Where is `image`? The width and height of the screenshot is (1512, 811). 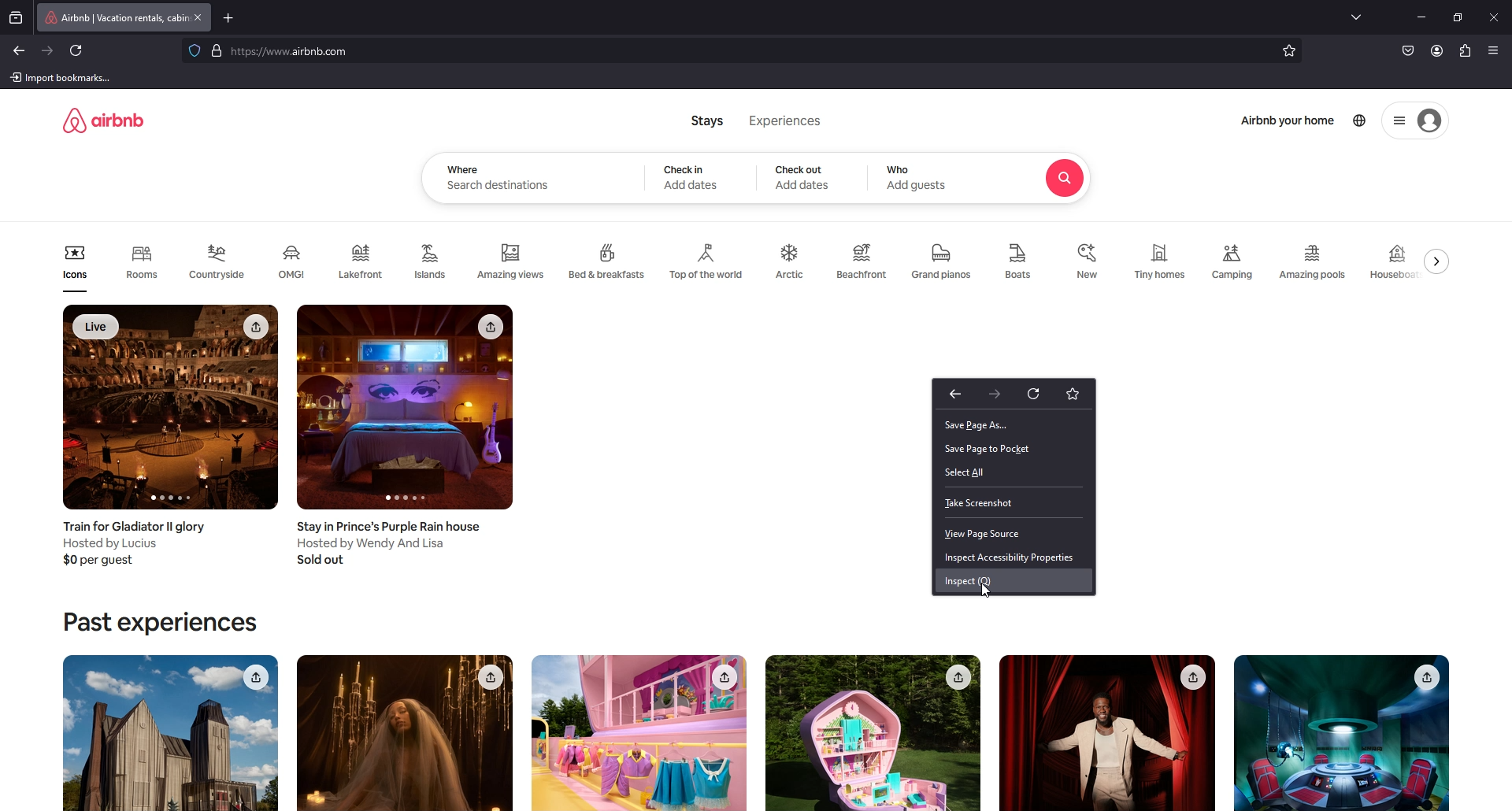 image is located at coordinates (170, 732).